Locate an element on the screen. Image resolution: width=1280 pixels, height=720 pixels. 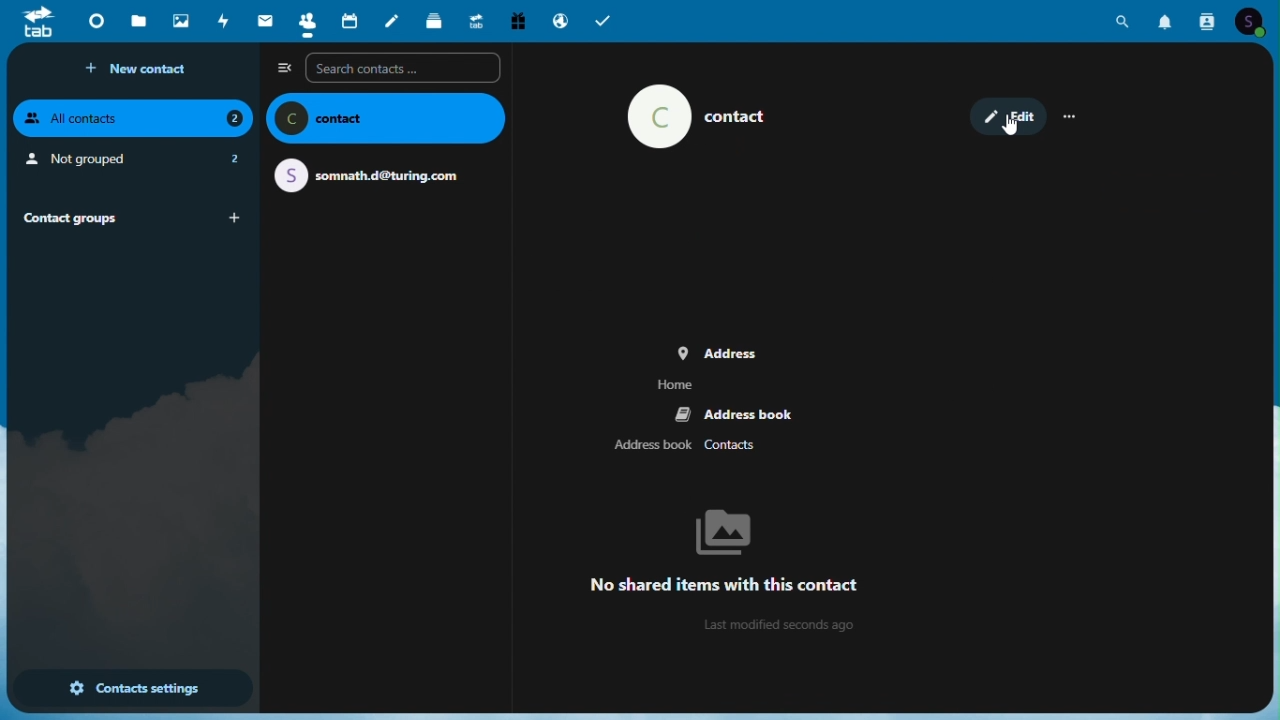
Contact groups is located at coordinates (106, 217).